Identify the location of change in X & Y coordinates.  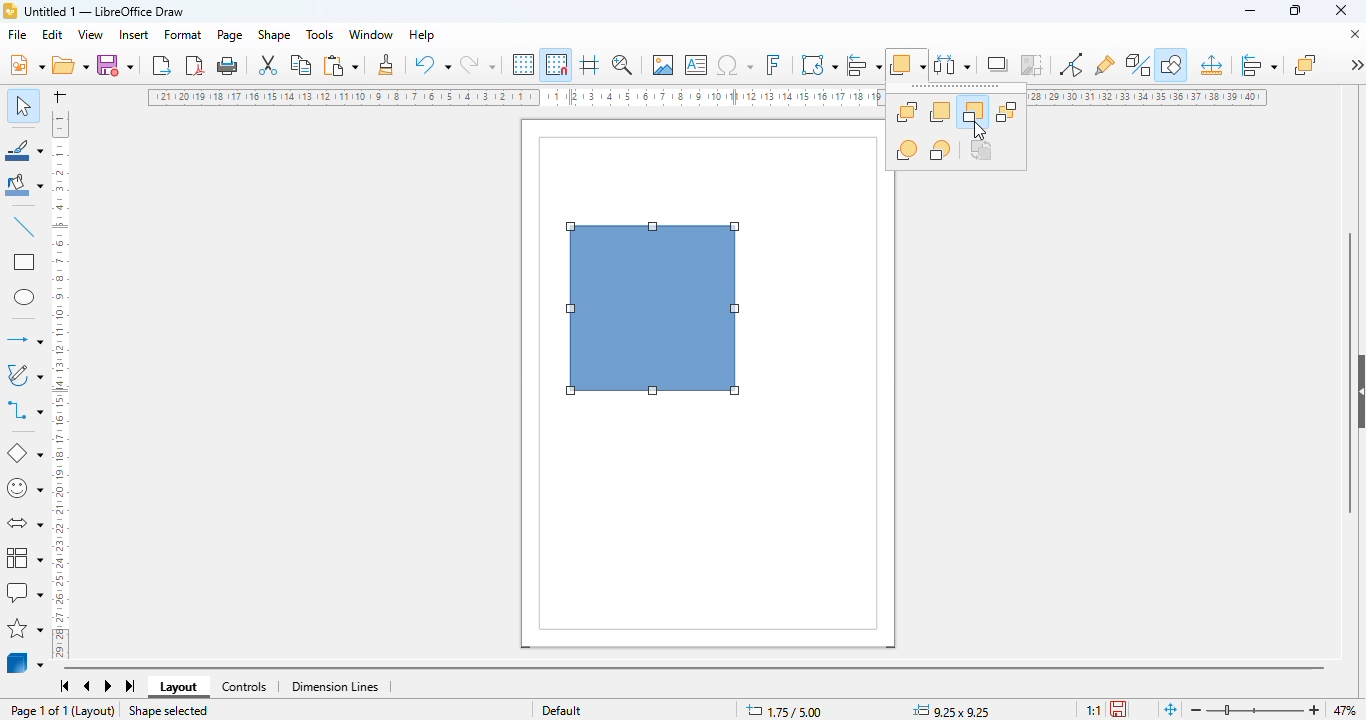
(784, 711).